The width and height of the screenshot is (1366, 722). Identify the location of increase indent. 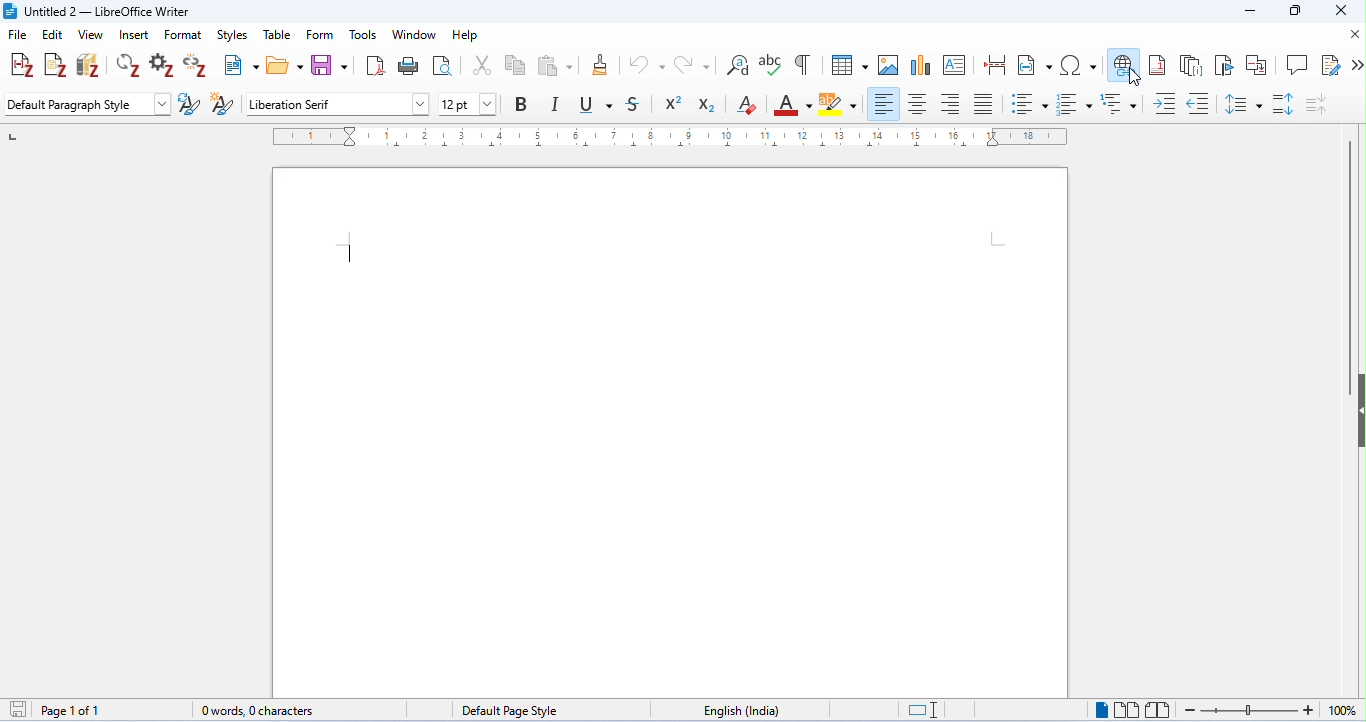
(1166, 103).